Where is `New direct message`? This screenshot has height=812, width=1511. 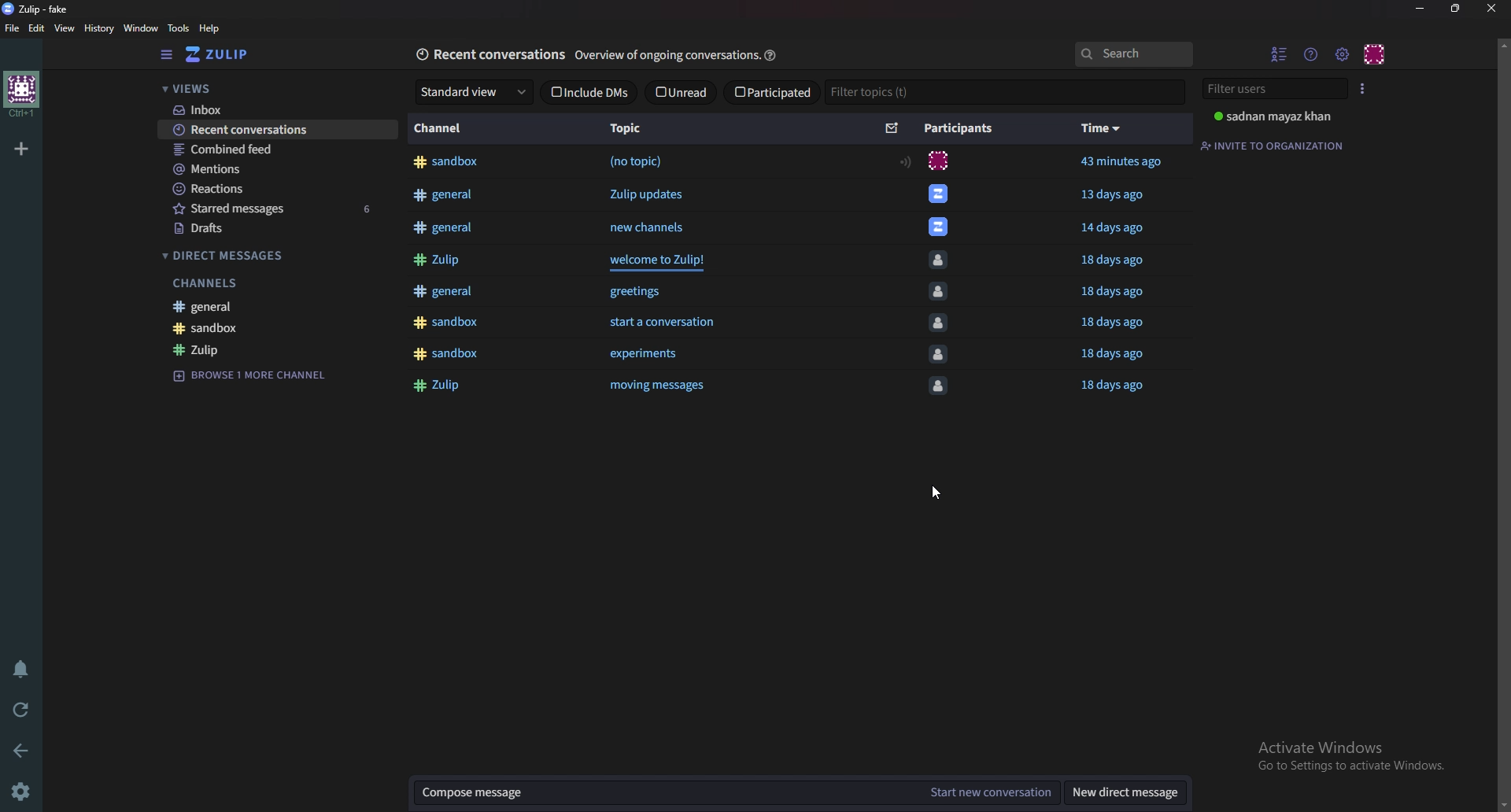
New direct message is located at coordinates (1125, 789).